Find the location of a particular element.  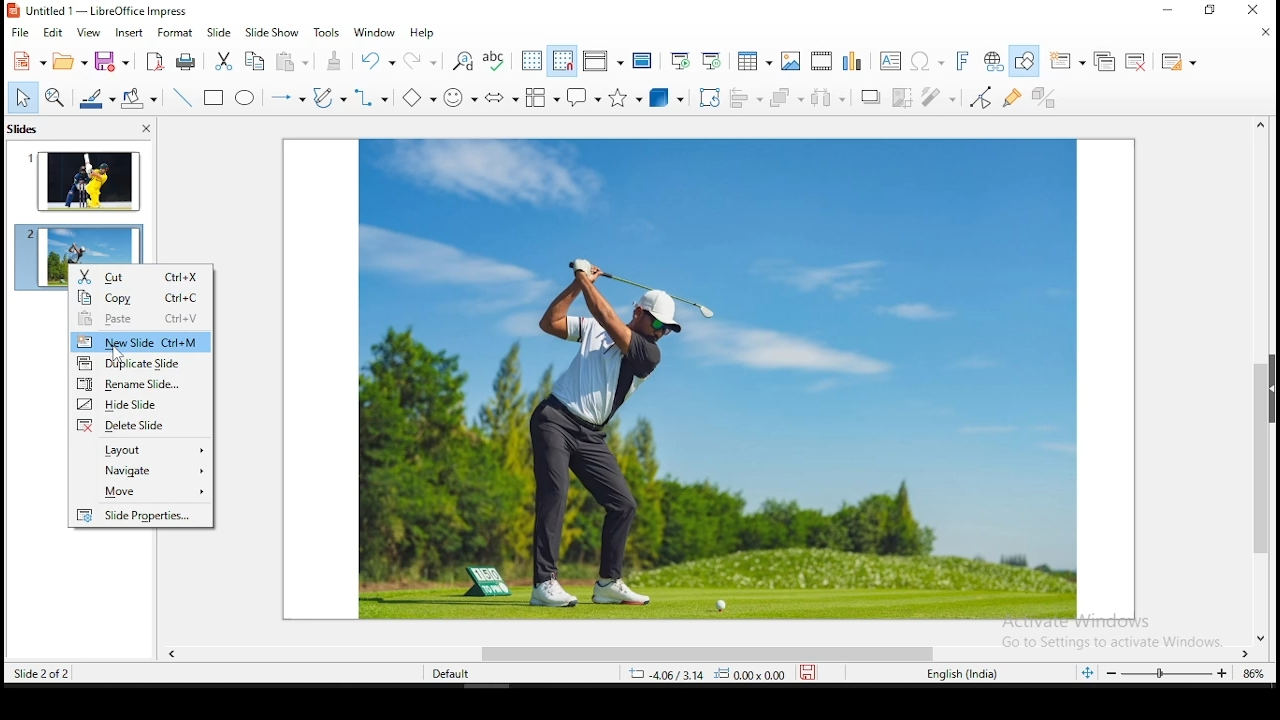

ellipse is located at coordinates (244, 102).